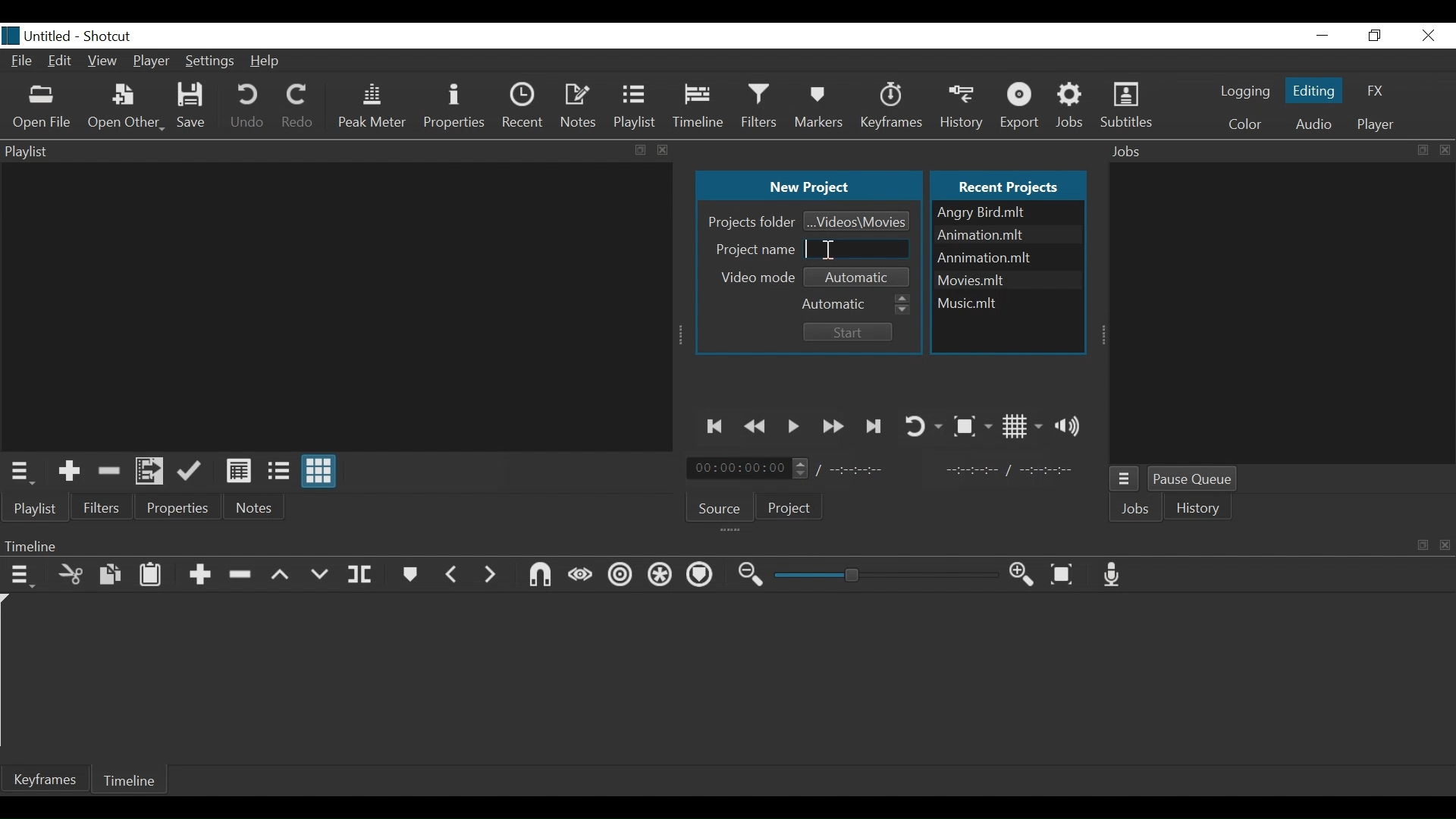 This screenshot has width=1456, height=819. What do you see at coordinates (319, 575) in the screenshot?
I see `Overwrite` at bounding box center [319, 575].